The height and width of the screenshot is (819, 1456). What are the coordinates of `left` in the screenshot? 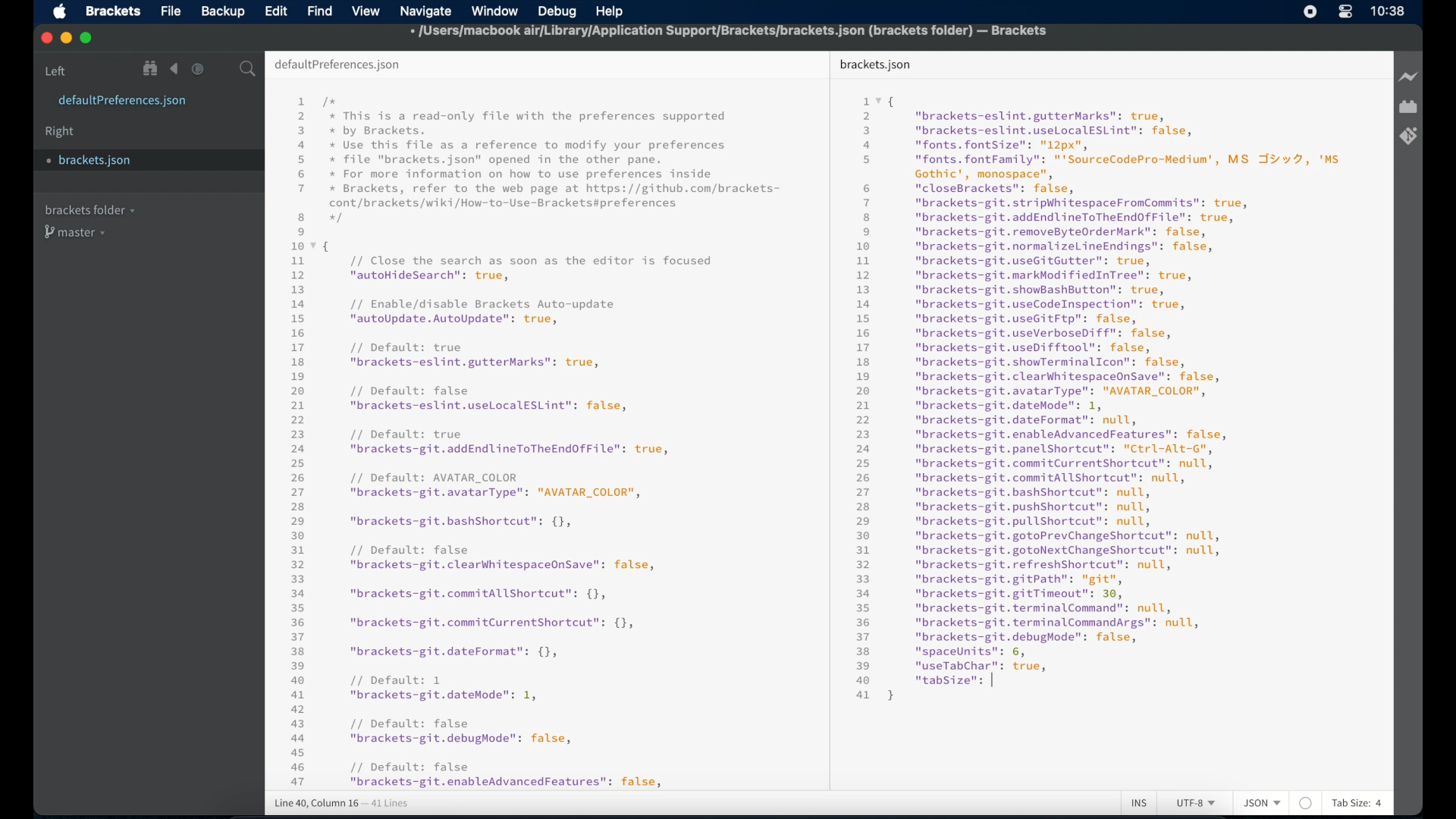 It's located at (56, 71).